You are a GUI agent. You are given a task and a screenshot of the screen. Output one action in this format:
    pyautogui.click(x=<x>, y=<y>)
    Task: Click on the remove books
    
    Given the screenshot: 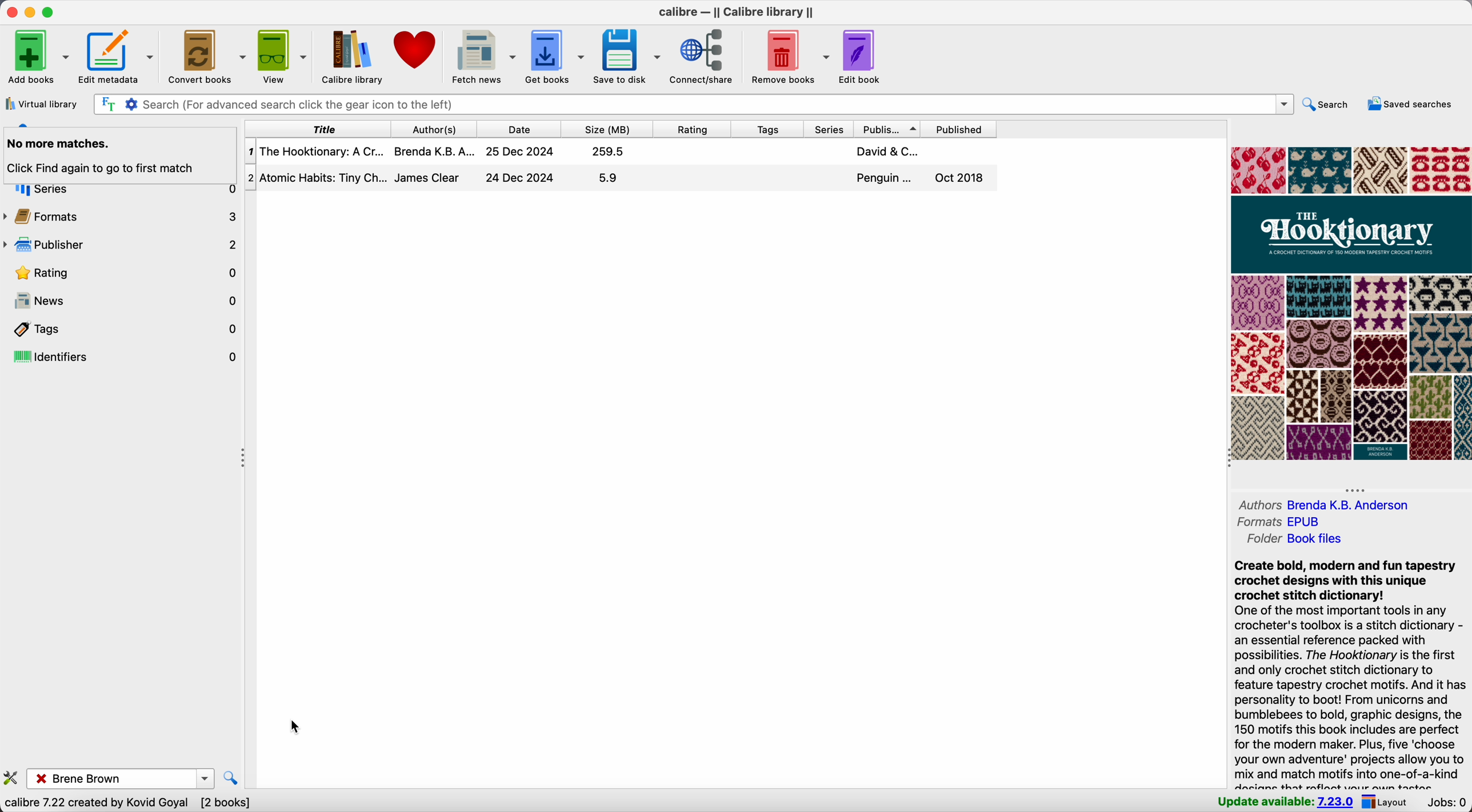 What is the action you would take?
    pyautogui.click(x=790, y=58)
    